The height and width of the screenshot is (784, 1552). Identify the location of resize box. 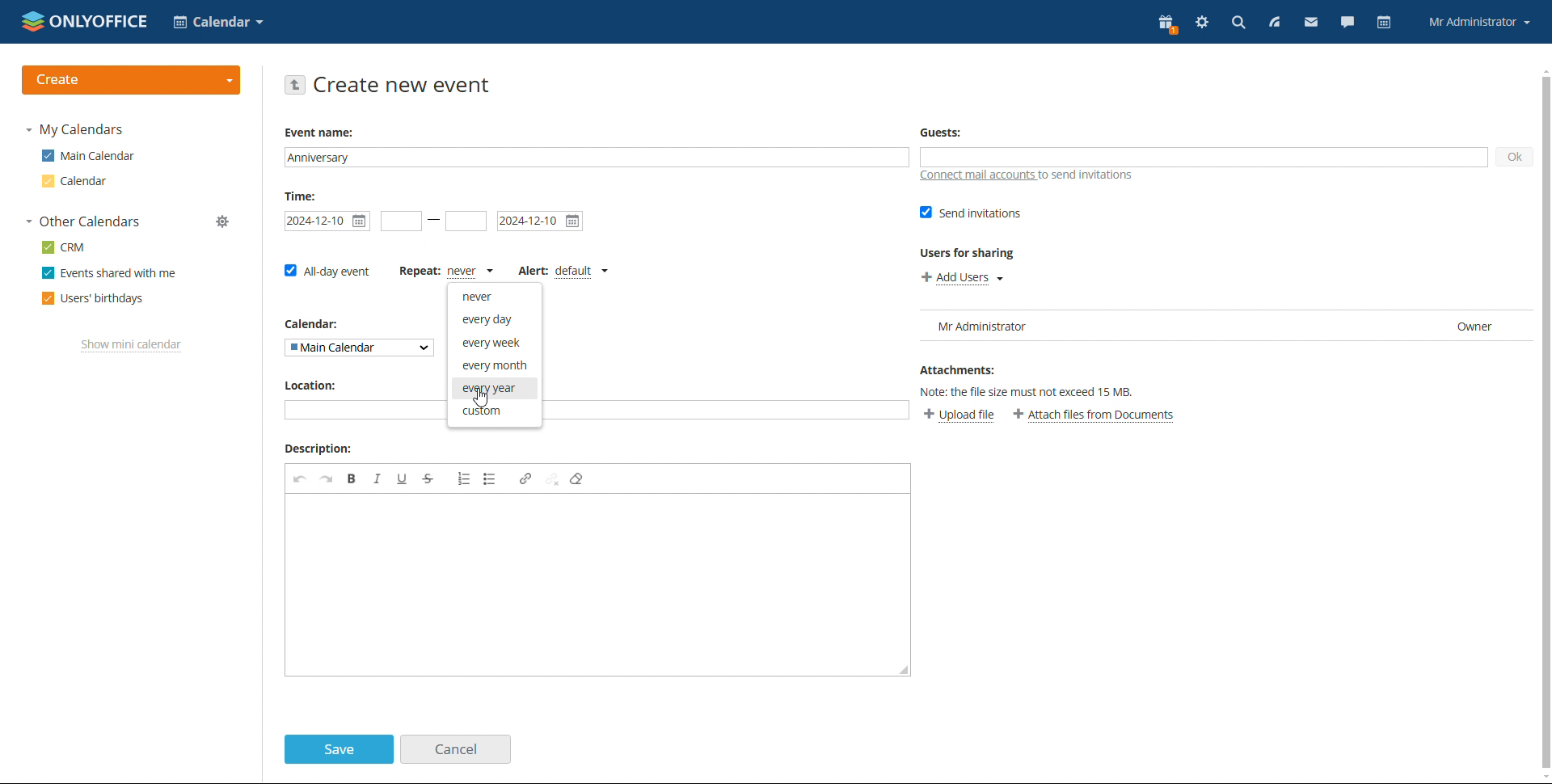
(904, 668).